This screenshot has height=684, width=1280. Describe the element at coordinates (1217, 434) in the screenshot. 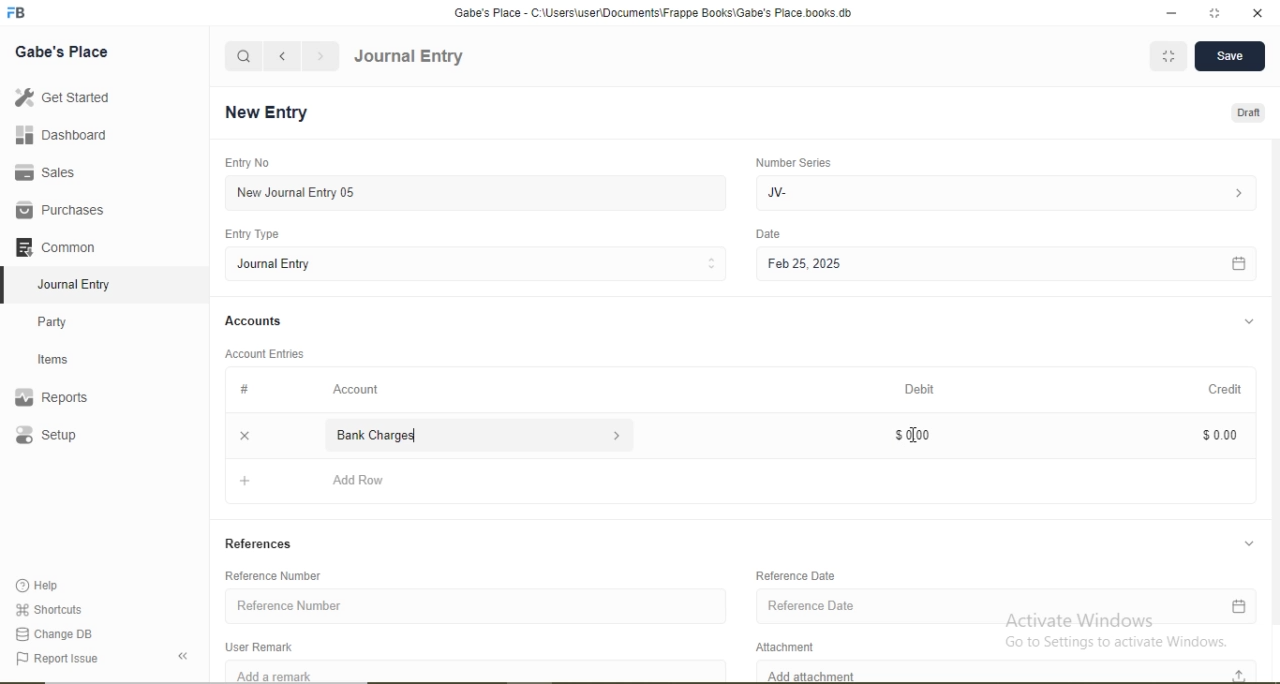

I see `$0.00` at that location.